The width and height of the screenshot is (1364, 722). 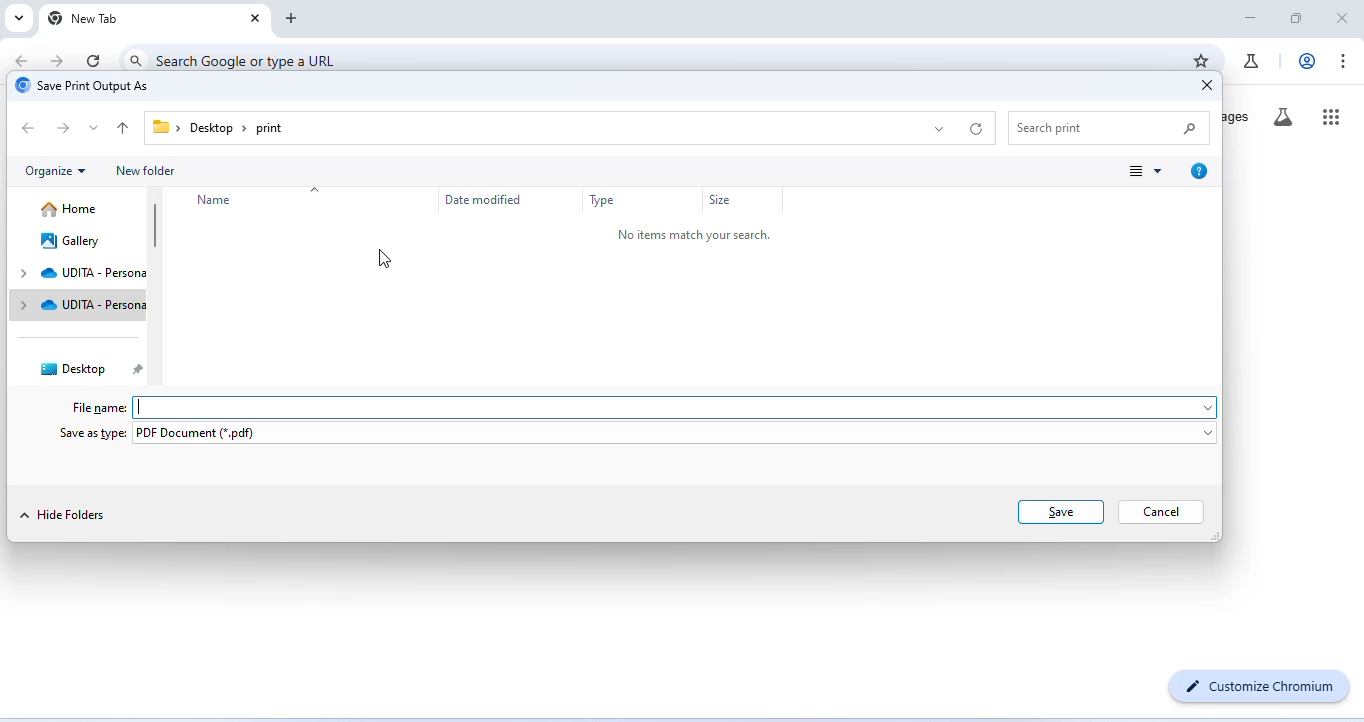 I want to click on home, so click(x=71, y=209).